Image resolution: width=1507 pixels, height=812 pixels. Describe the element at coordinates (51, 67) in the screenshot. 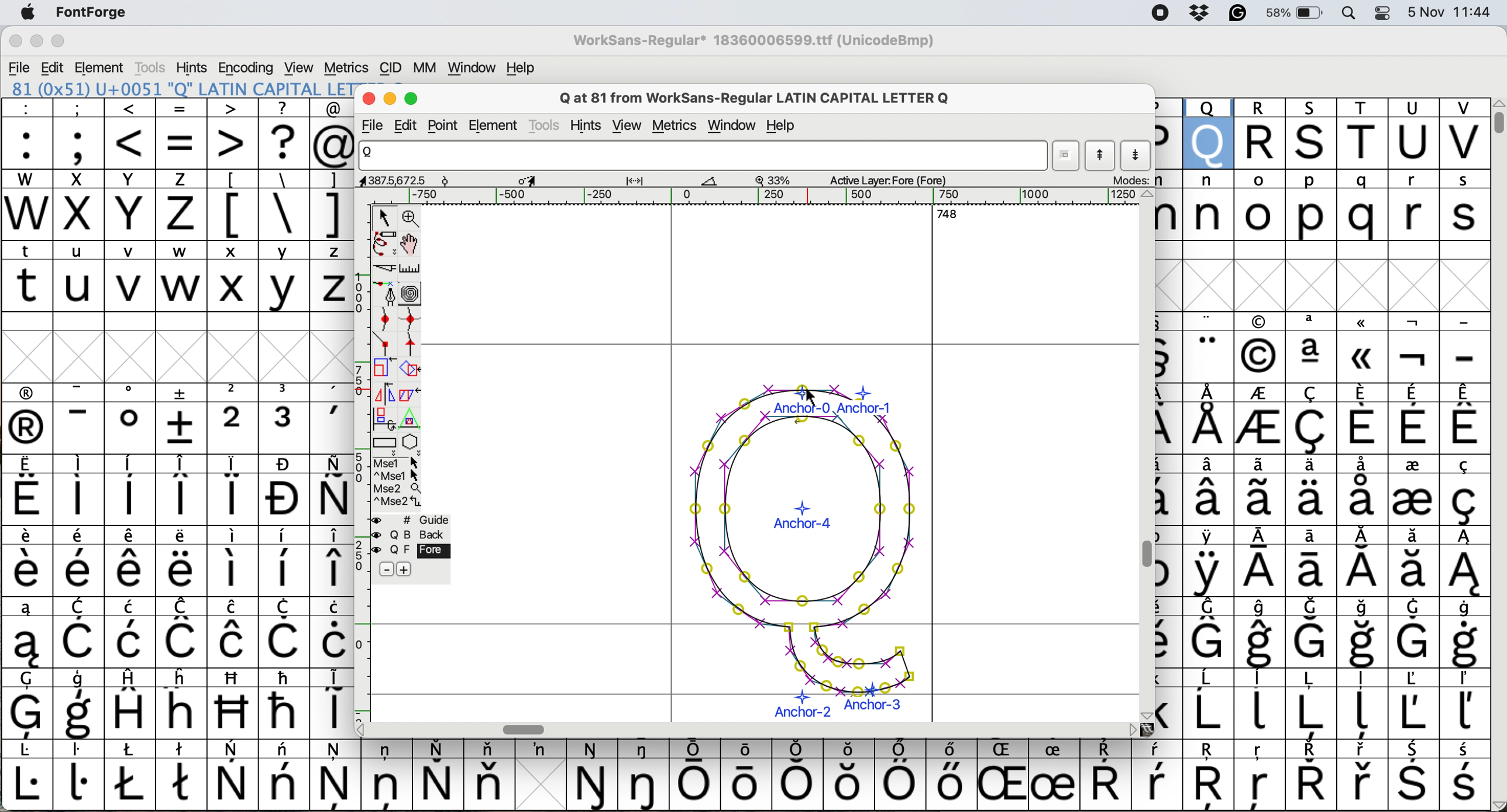

I see `edit` at that location.